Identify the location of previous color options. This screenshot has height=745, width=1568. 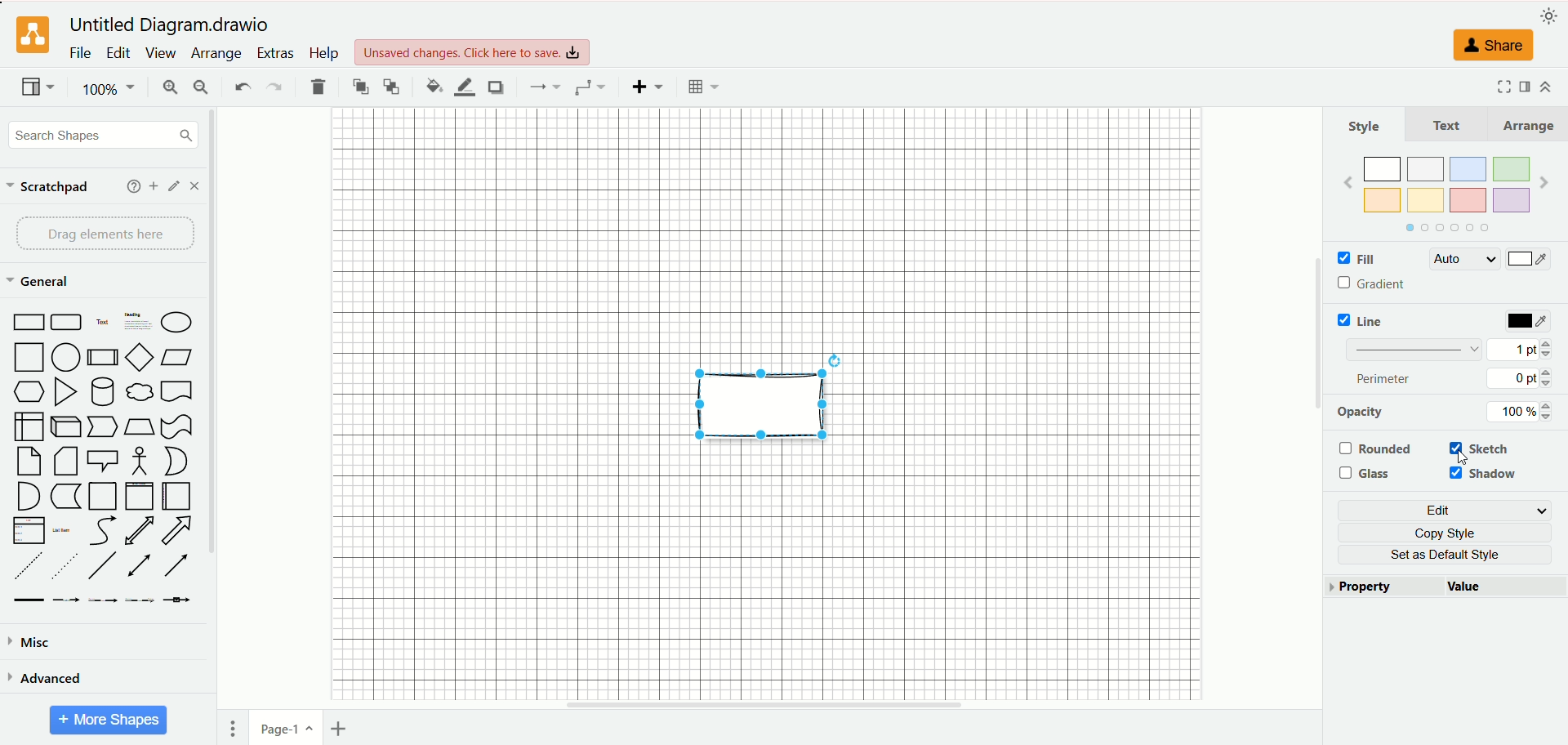
(1347, 182).